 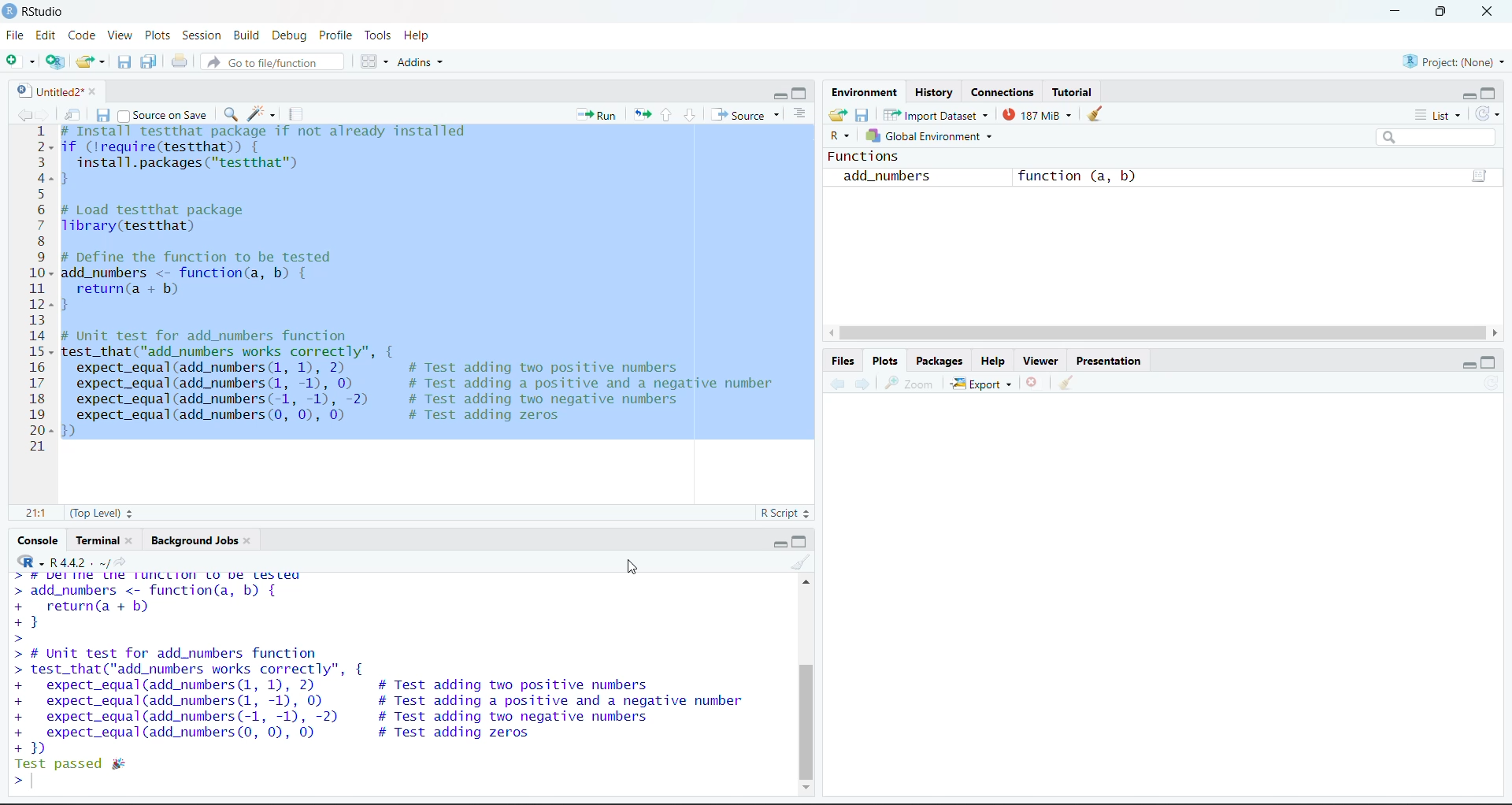 I want to click on find/replace, so click(x=232, y=114).